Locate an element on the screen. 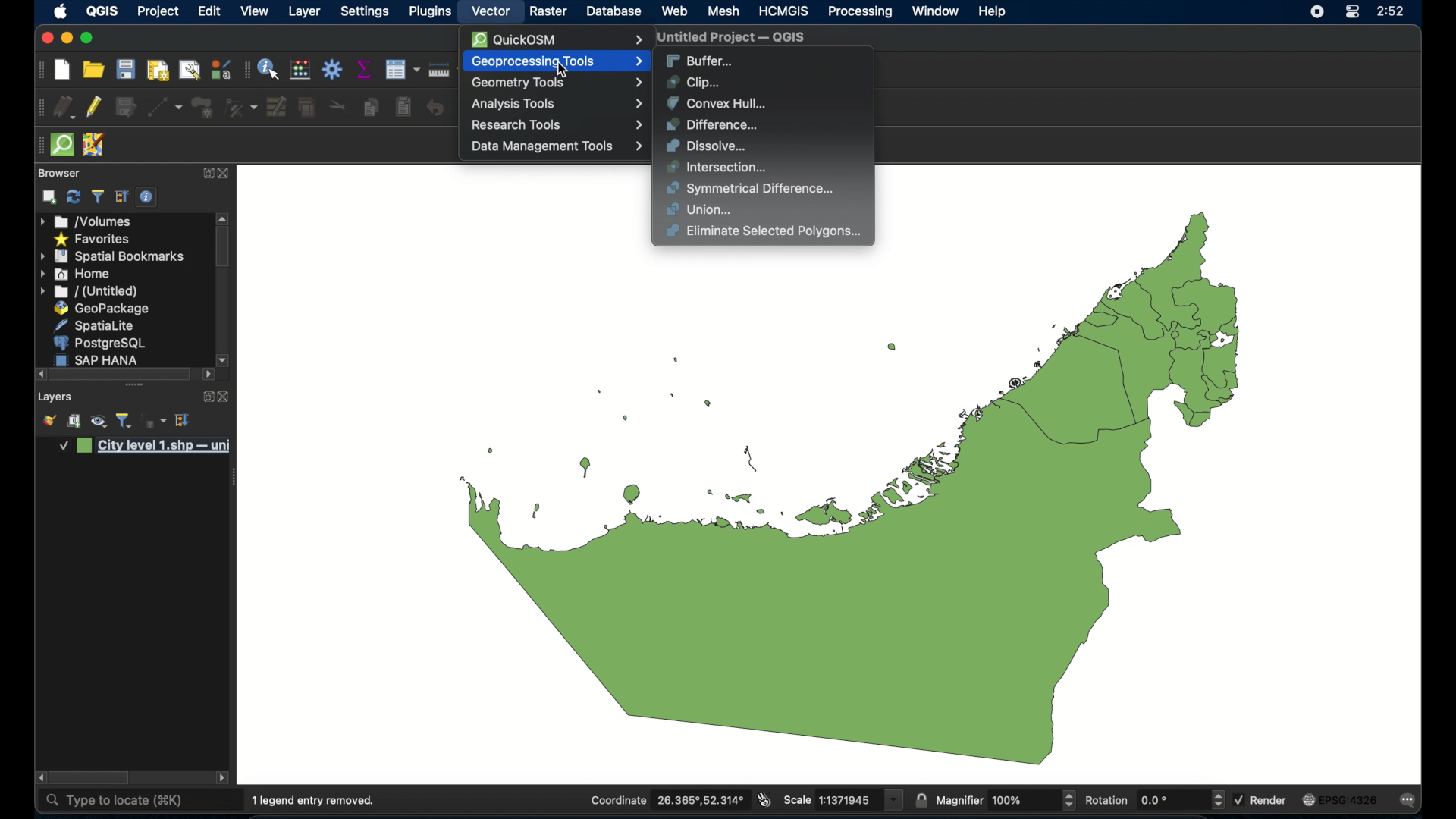 Image resolution: width=1456 pixels, height=819 pixels. render is located at coordinates (1263, 800).